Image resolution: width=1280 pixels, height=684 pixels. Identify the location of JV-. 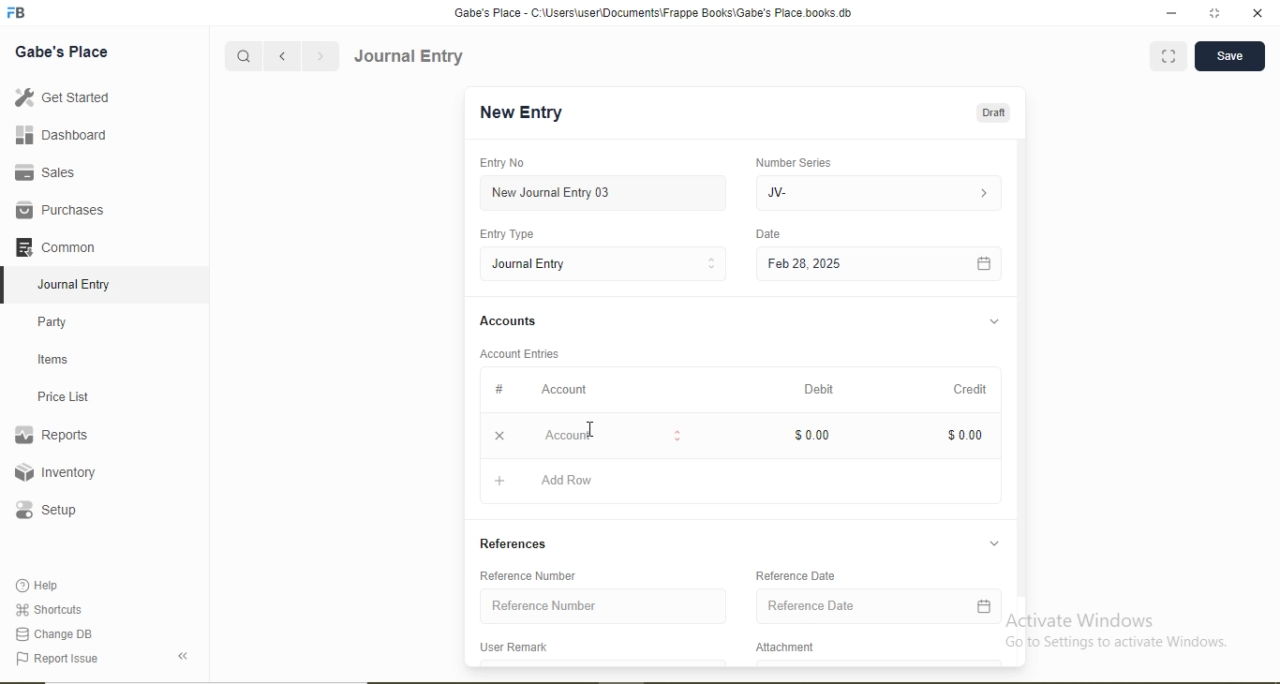
(777, 193).